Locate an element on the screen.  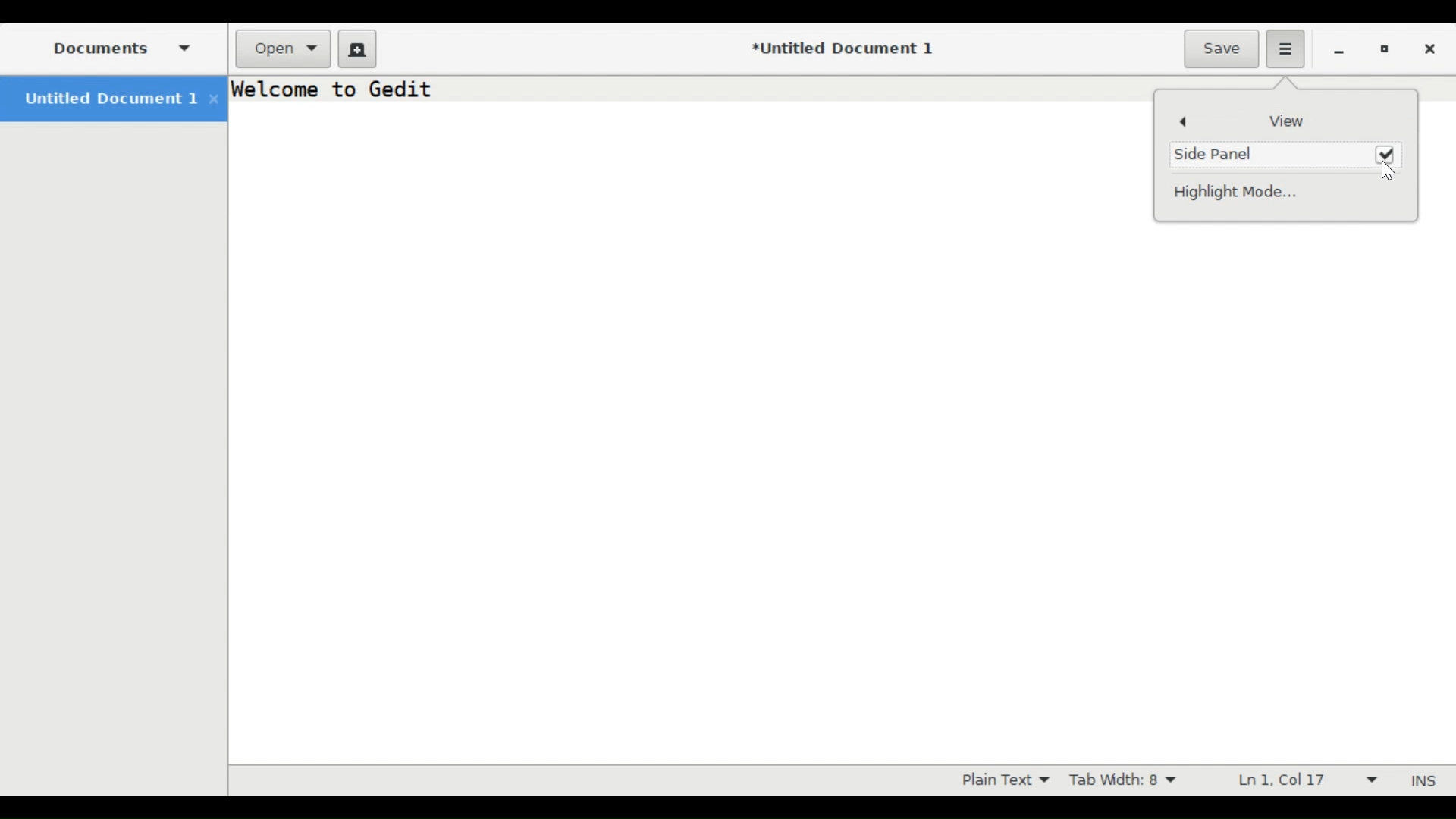
Open is located at coordinates (284, 47).